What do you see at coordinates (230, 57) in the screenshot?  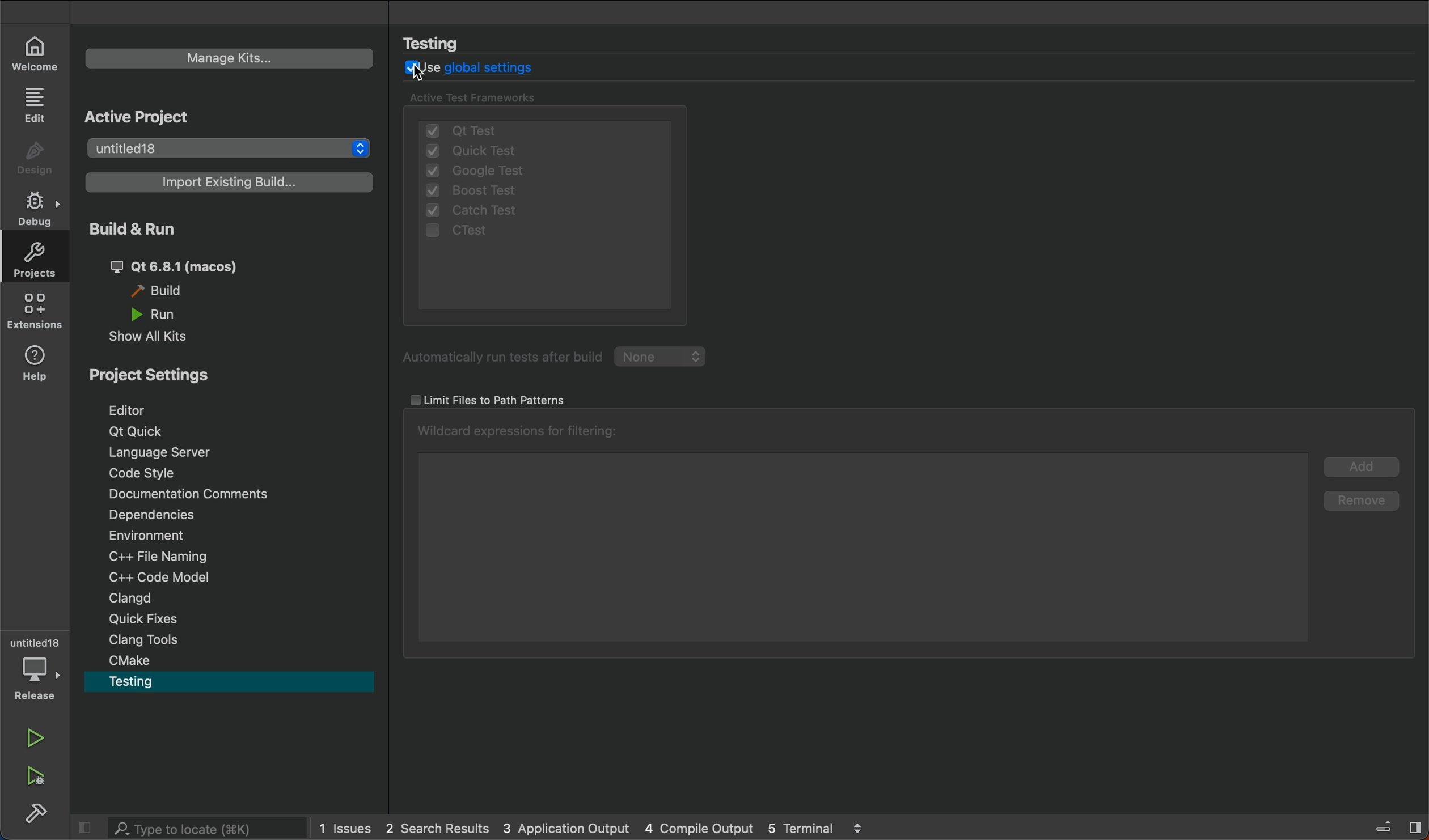 I see `manage kits` at bounding box center [230, 57].